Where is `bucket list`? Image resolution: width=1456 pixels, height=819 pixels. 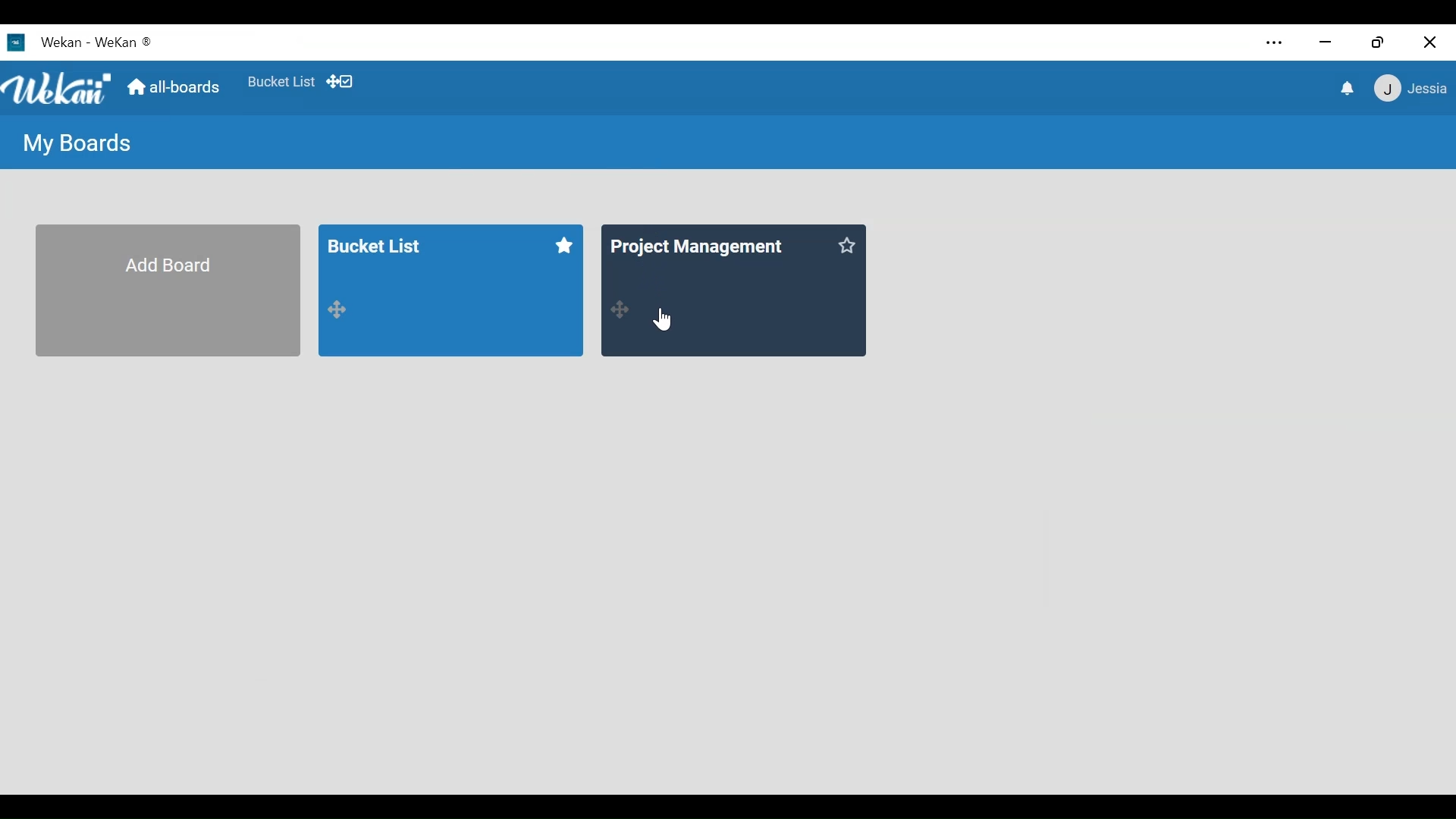 bucket list is located at coordinates (452, 290).